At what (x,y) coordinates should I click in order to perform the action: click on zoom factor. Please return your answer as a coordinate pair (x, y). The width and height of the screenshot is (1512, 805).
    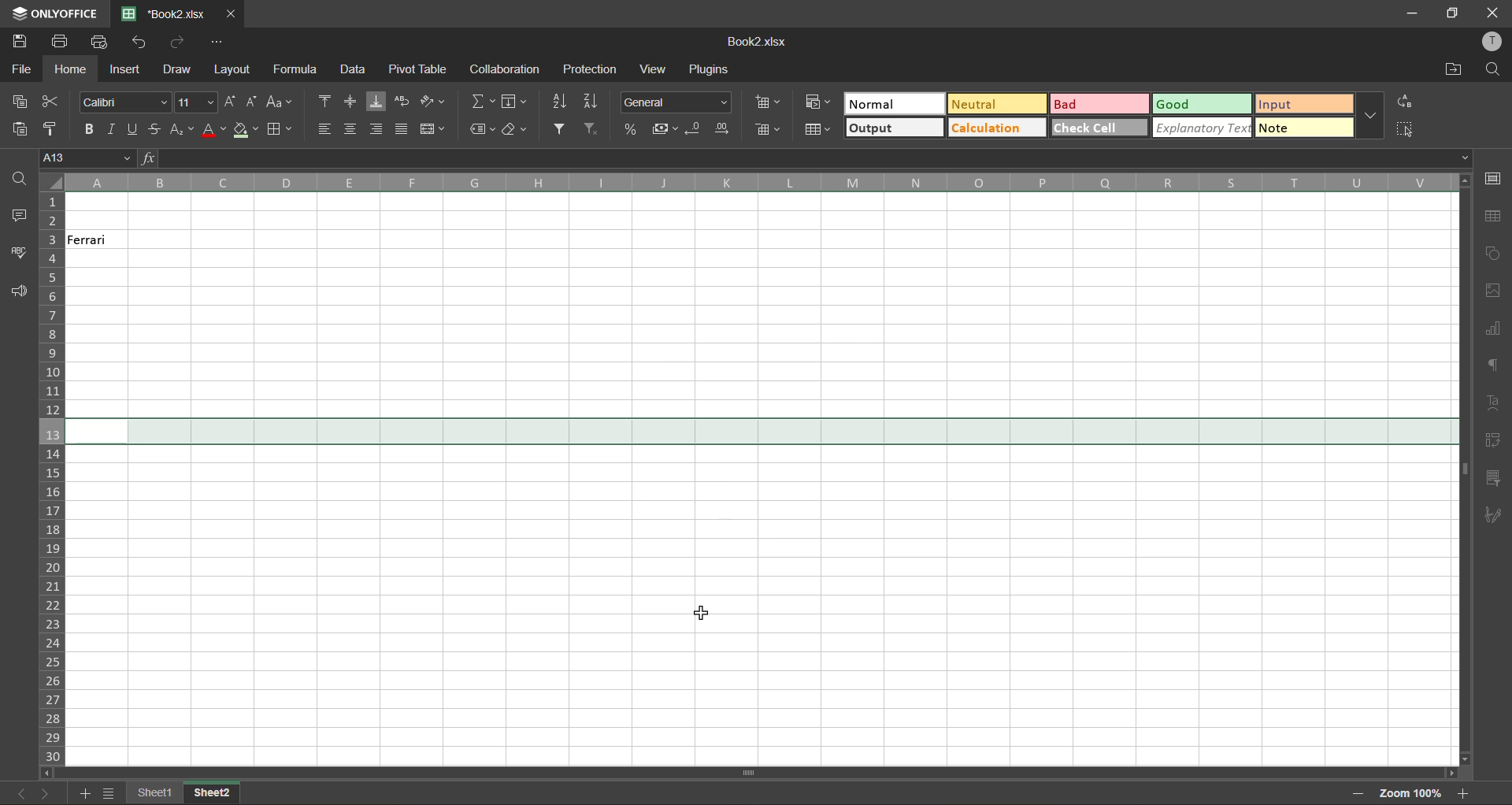
    Looking at the image, I should click on (1413, 793).